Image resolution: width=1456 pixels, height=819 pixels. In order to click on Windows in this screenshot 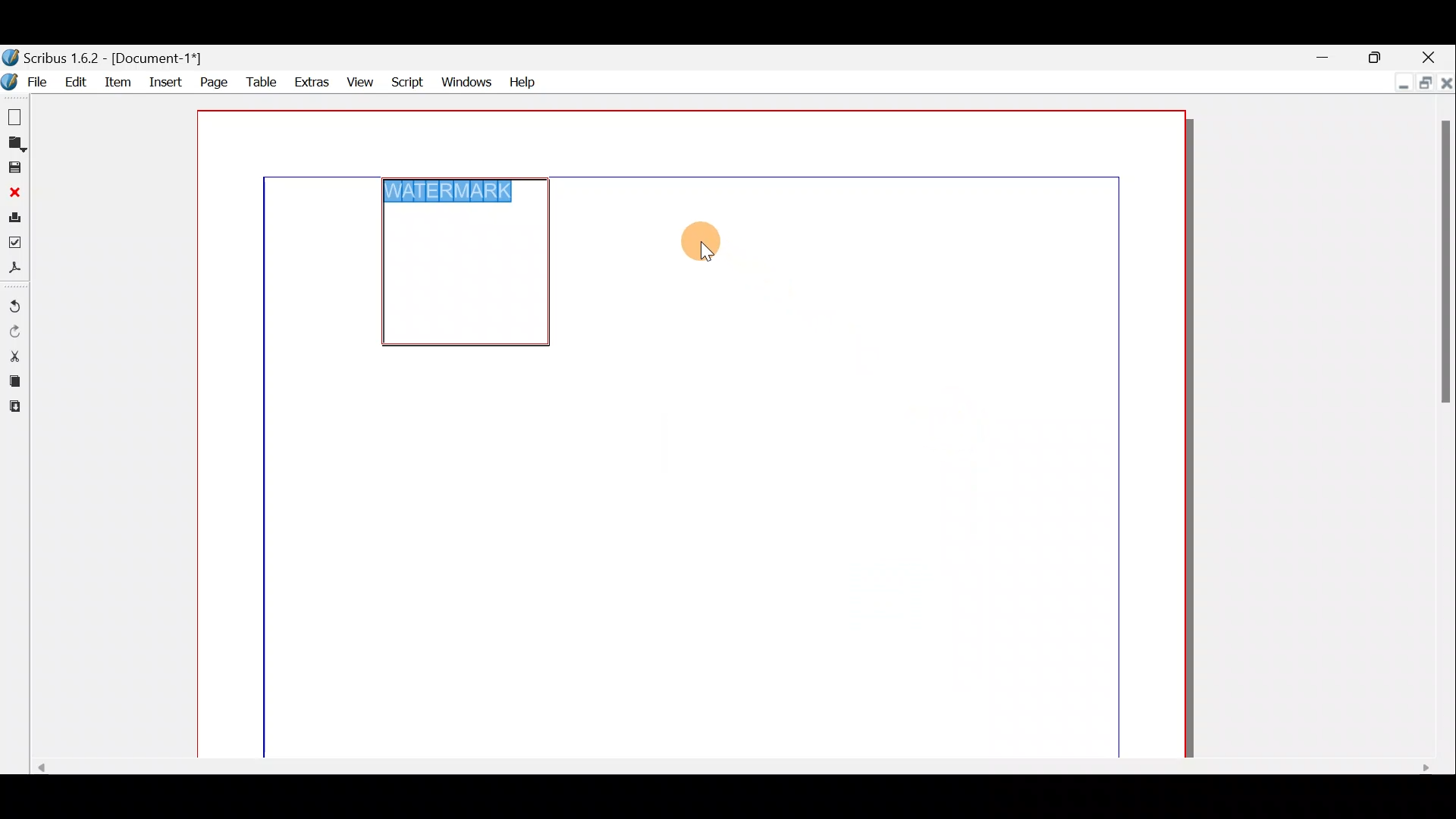, I will do `click(466, 80)`.